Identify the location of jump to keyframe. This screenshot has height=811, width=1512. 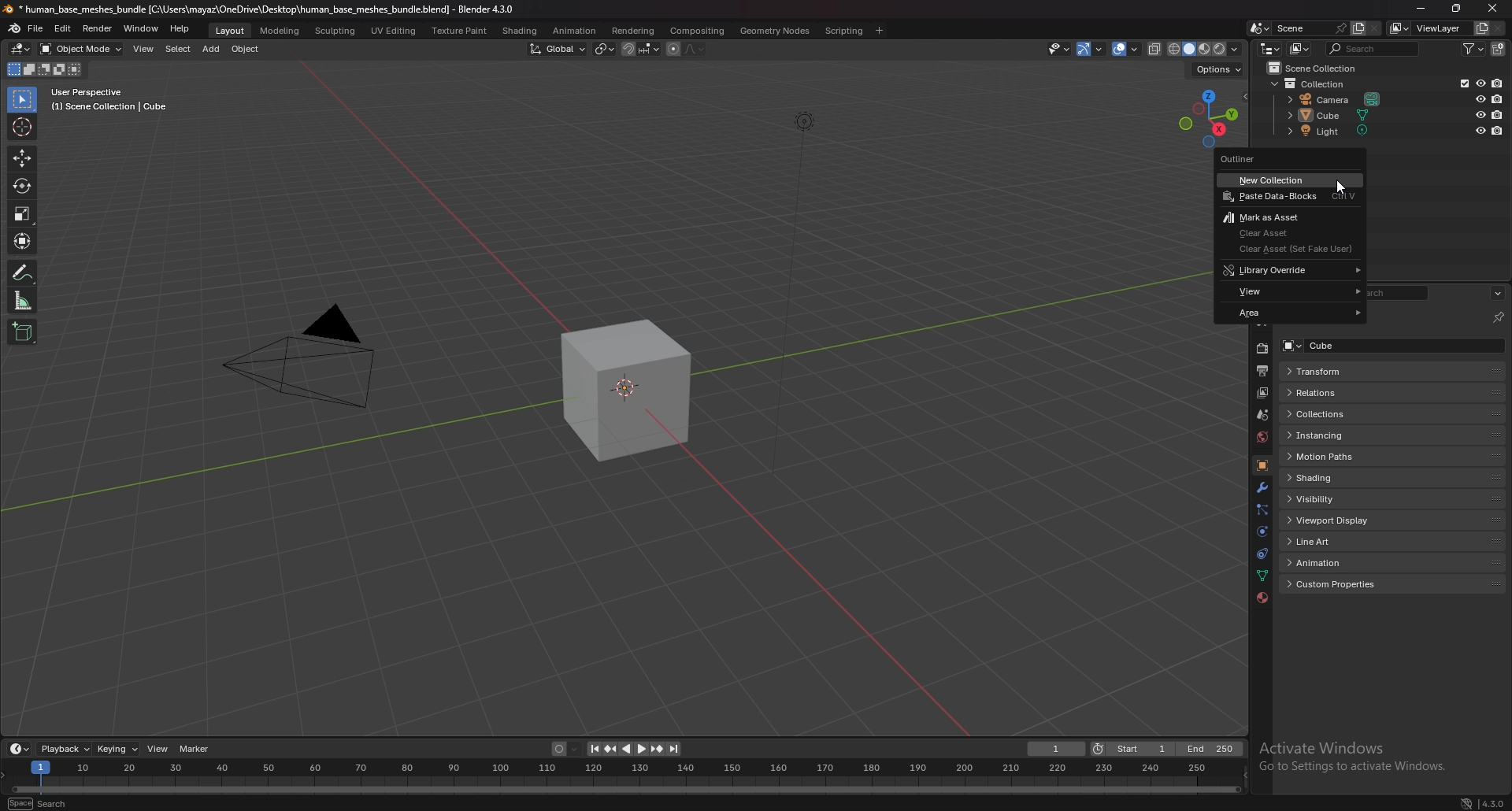
(658, 749).